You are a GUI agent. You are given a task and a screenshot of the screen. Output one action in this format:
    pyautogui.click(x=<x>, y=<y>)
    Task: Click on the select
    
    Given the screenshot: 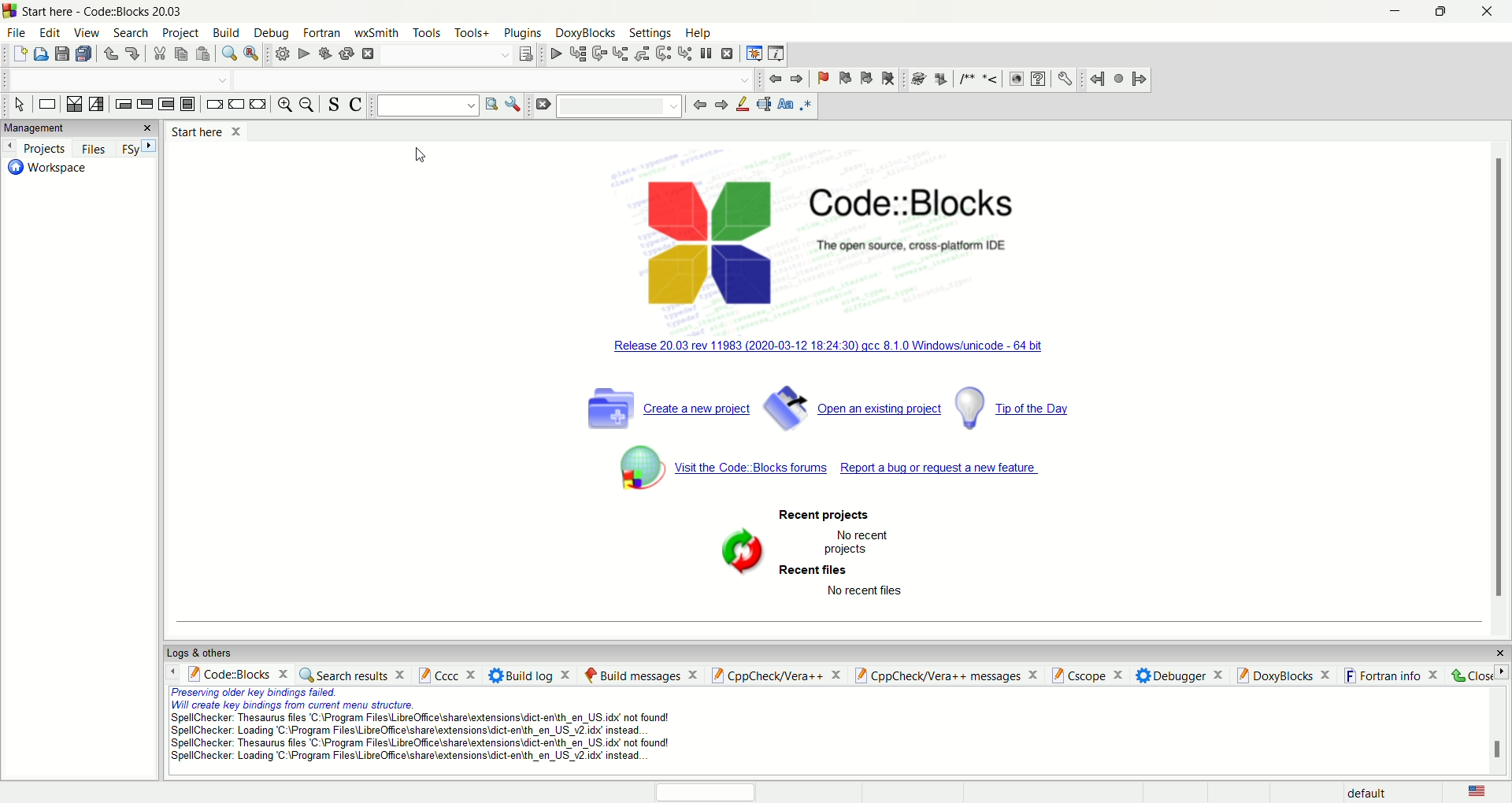 What is the action you would take?
    pyautogui.click(x=18, y=106)
    